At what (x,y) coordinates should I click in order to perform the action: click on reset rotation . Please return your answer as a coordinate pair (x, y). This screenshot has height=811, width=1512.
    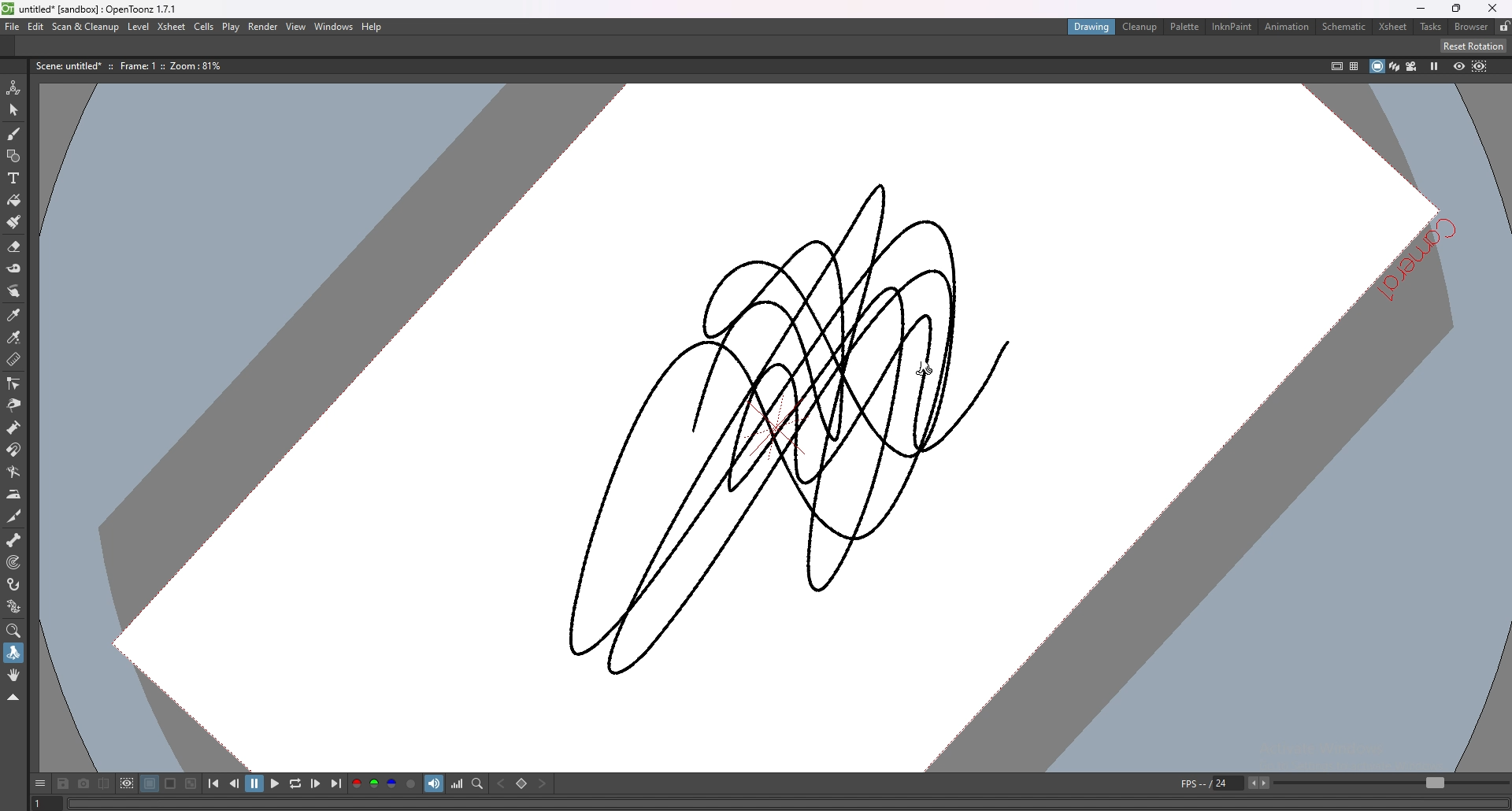
    Looking at the image, I should click on (1473, 45).